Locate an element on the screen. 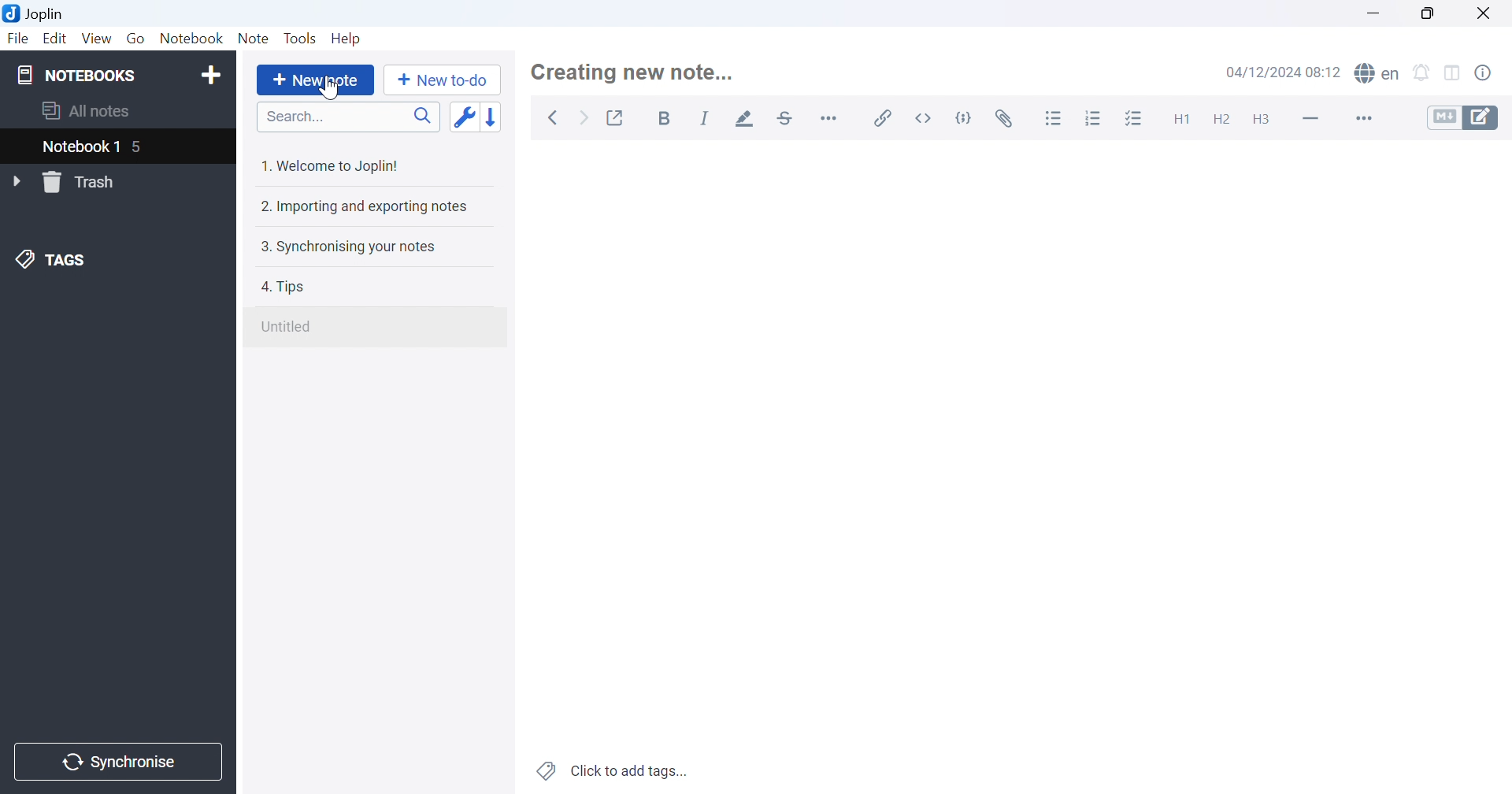  Untitled is located at coordinates (290, 327).